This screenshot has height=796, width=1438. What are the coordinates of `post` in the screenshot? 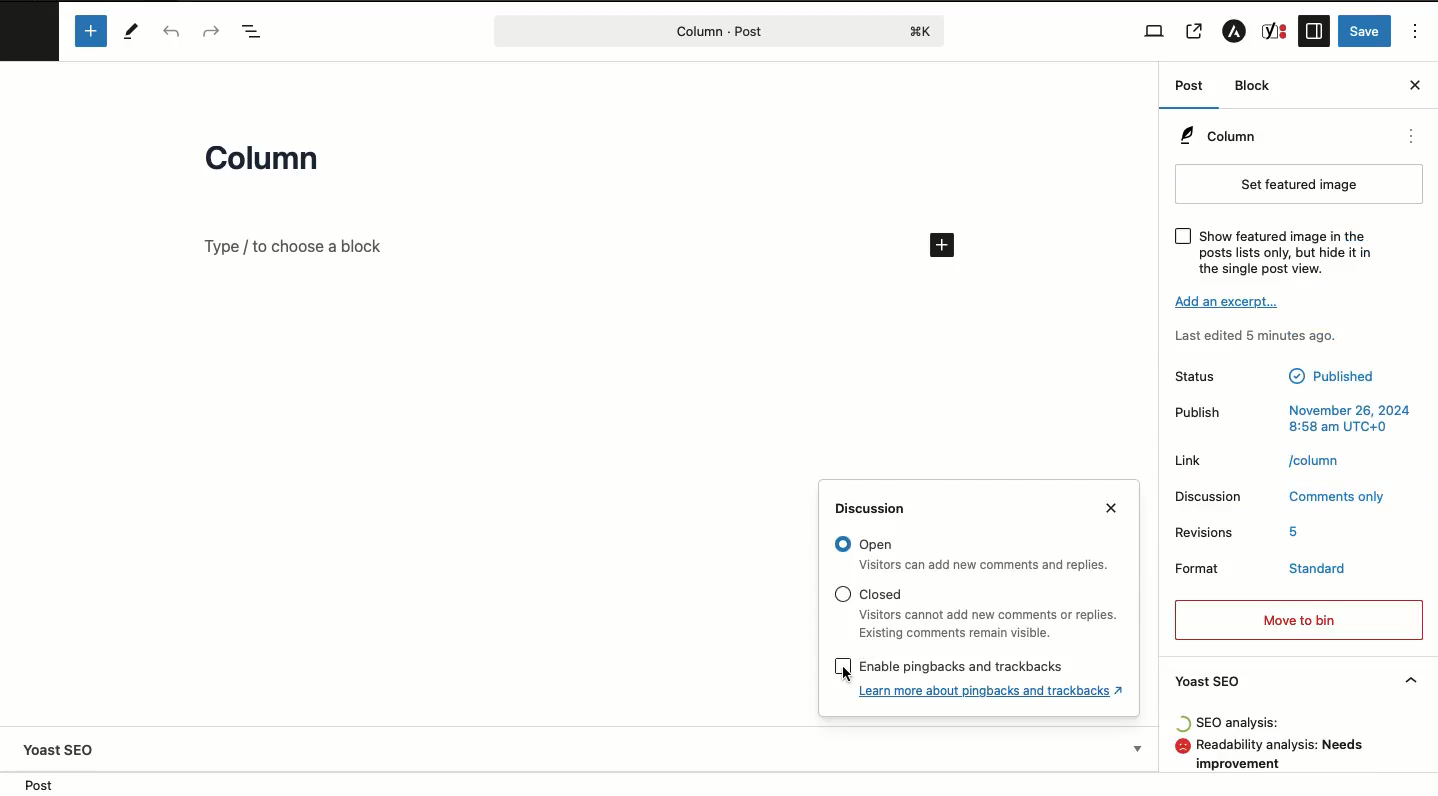 It's located at (39, 785).